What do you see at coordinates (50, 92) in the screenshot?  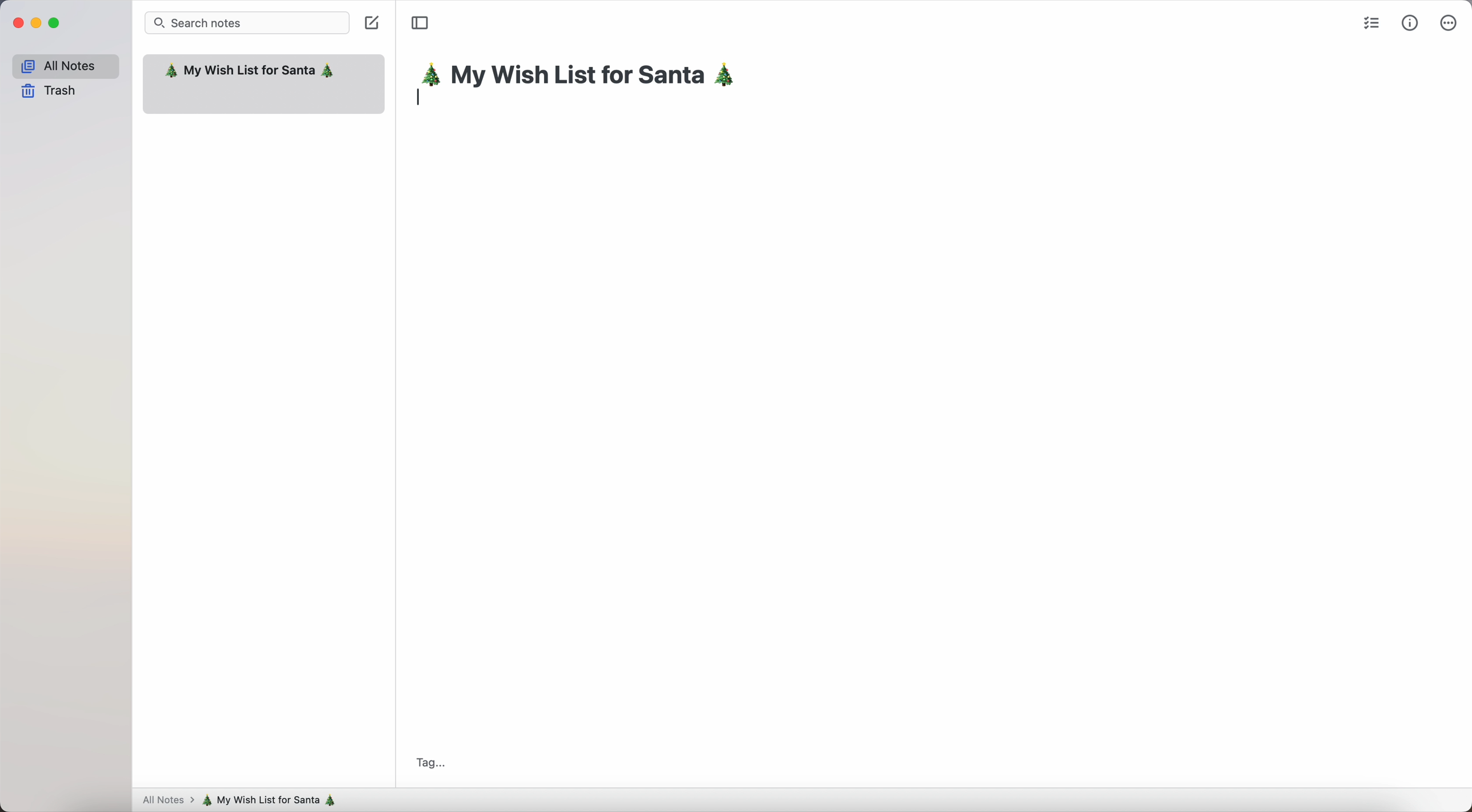 I see `trash` at bounding box center [50, 92].